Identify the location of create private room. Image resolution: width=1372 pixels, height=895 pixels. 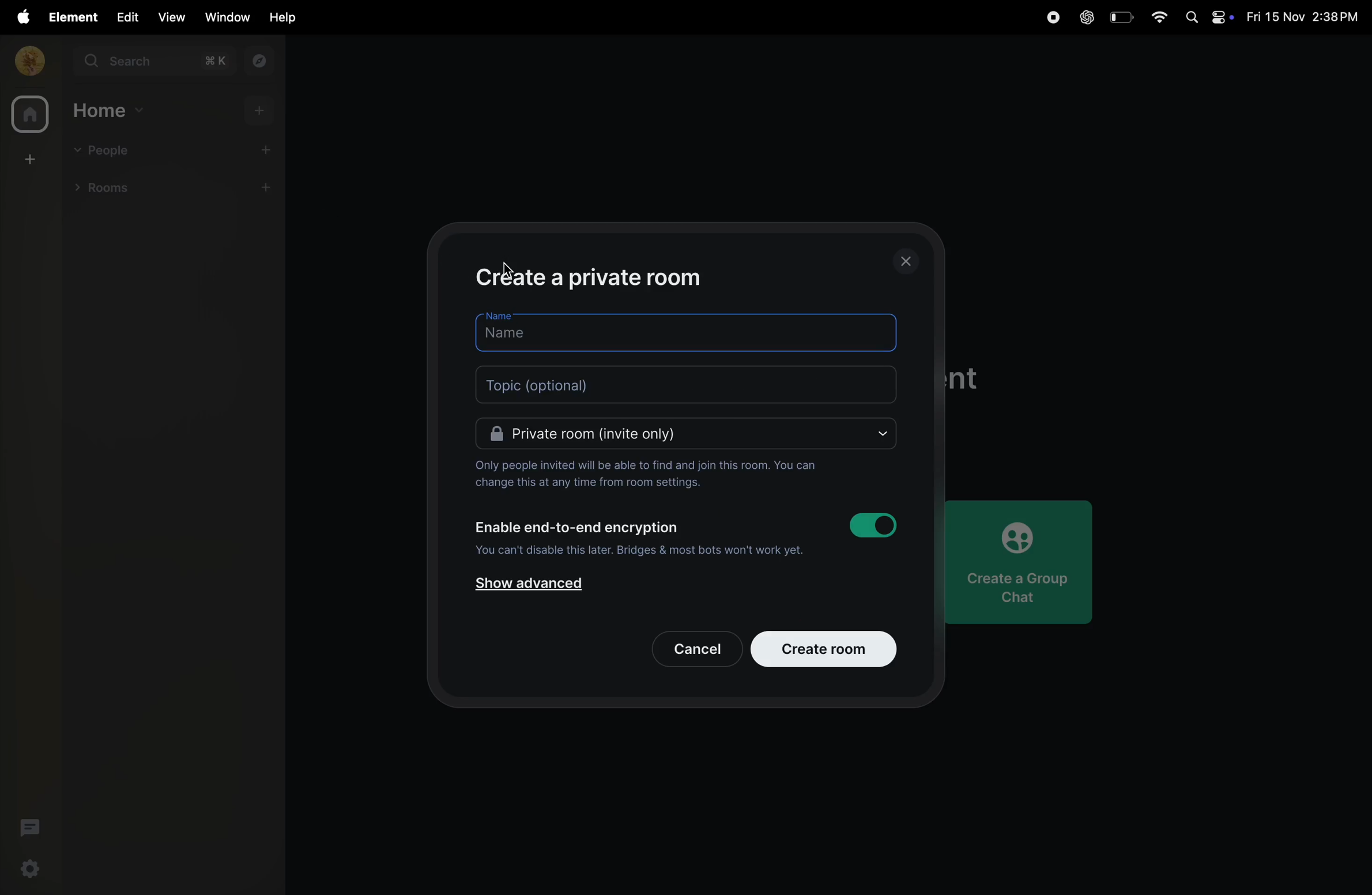
(594, 275).